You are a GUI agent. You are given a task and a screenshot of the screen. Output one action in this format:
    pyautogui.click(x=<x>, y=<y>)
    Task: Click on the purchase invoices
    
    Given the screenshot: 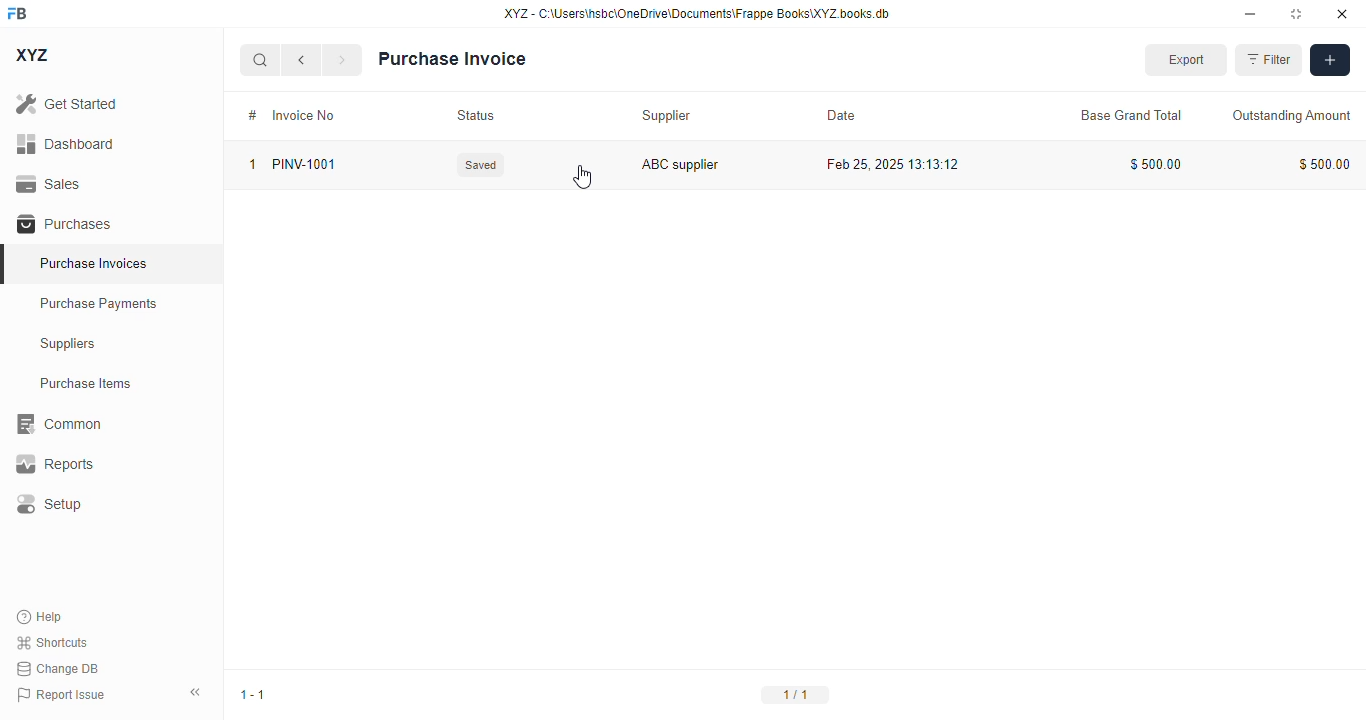 What is the action you would take?
    pyautogui.click(x=96, y=263)
    